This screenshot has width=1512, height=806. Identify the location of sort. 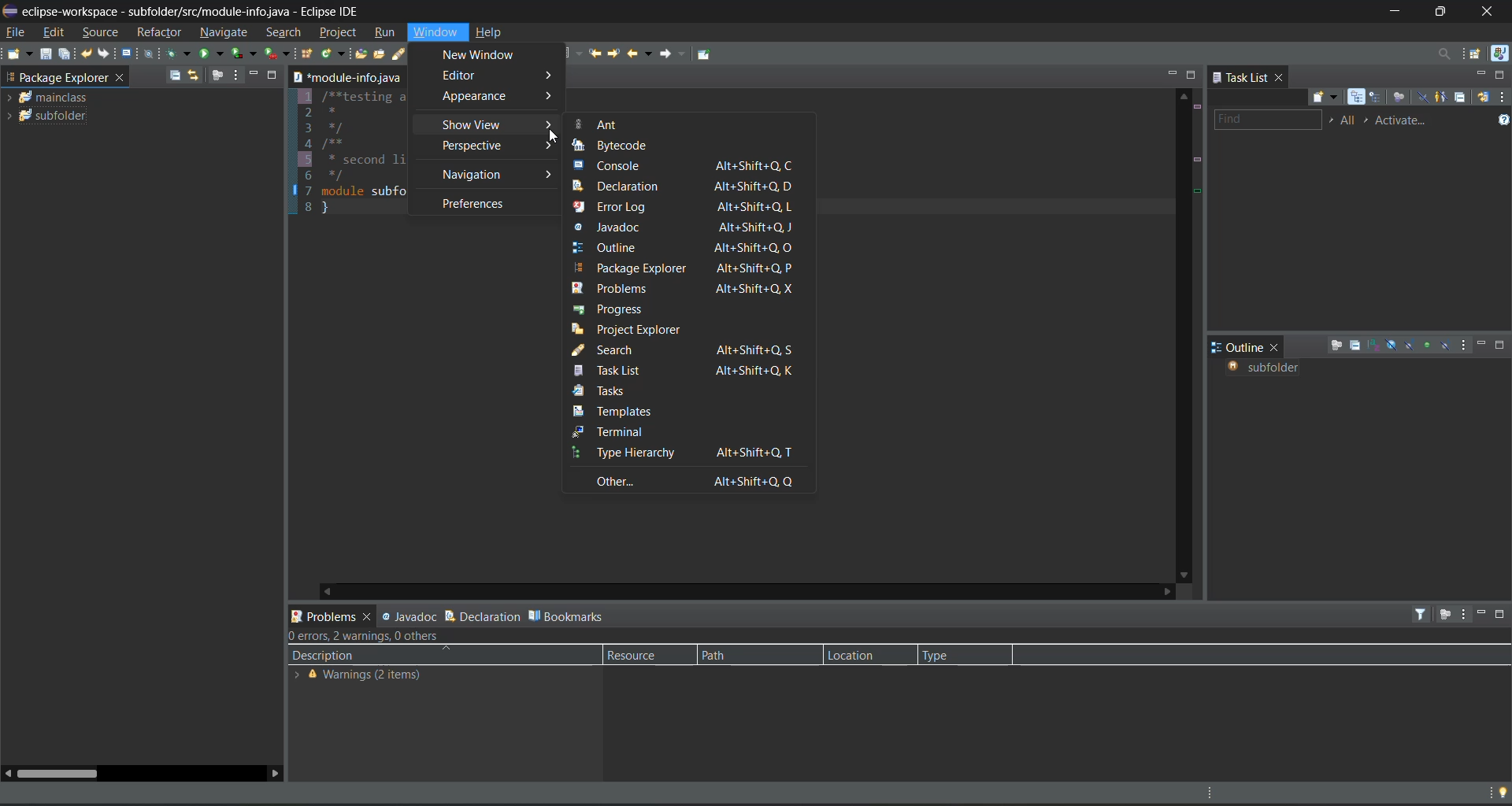
(1374, 344).